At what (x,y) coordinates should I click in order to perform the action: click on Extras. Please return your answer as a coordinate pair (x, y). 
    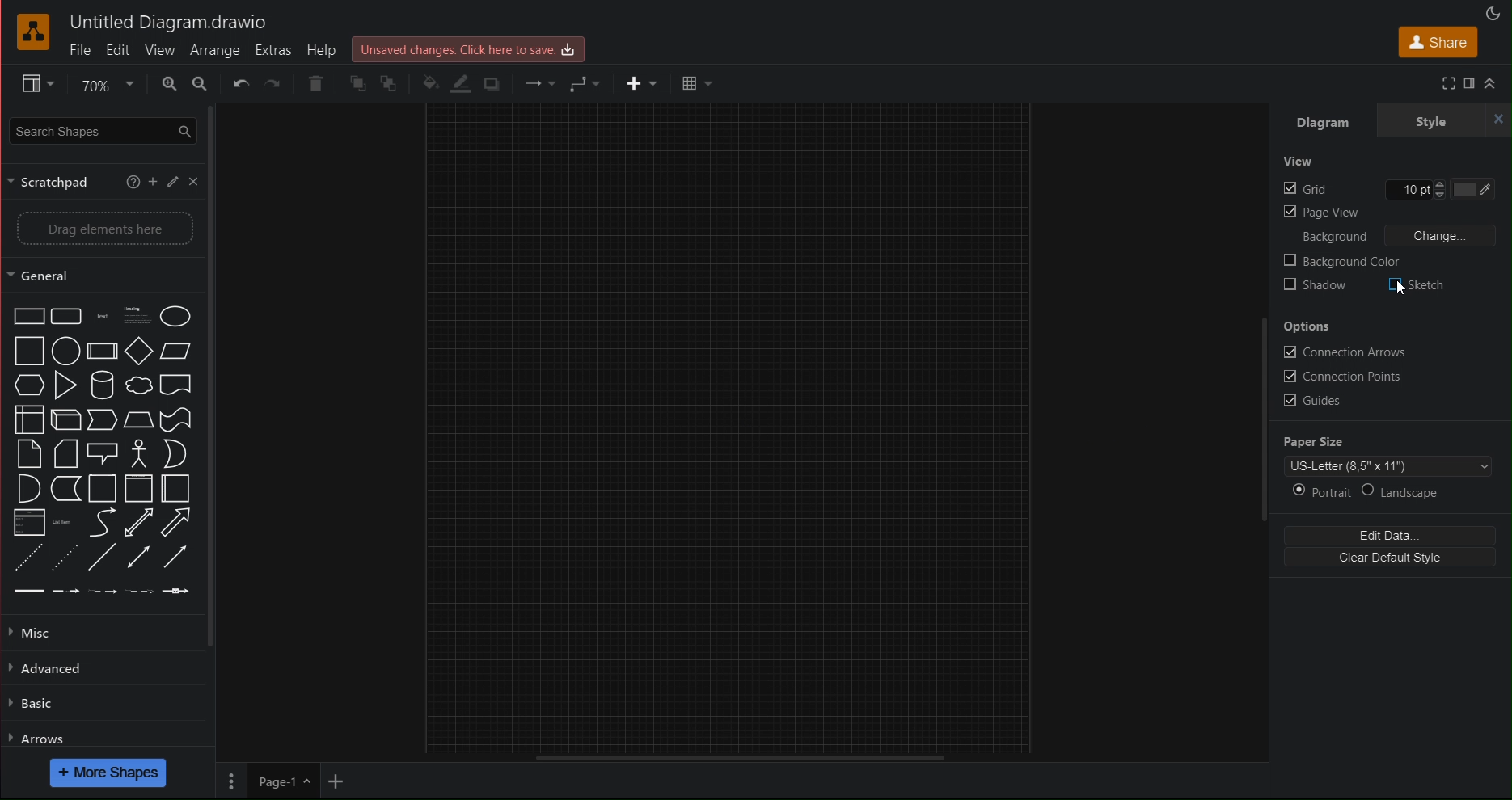
    Looking at the image, I should click on (276, 50).